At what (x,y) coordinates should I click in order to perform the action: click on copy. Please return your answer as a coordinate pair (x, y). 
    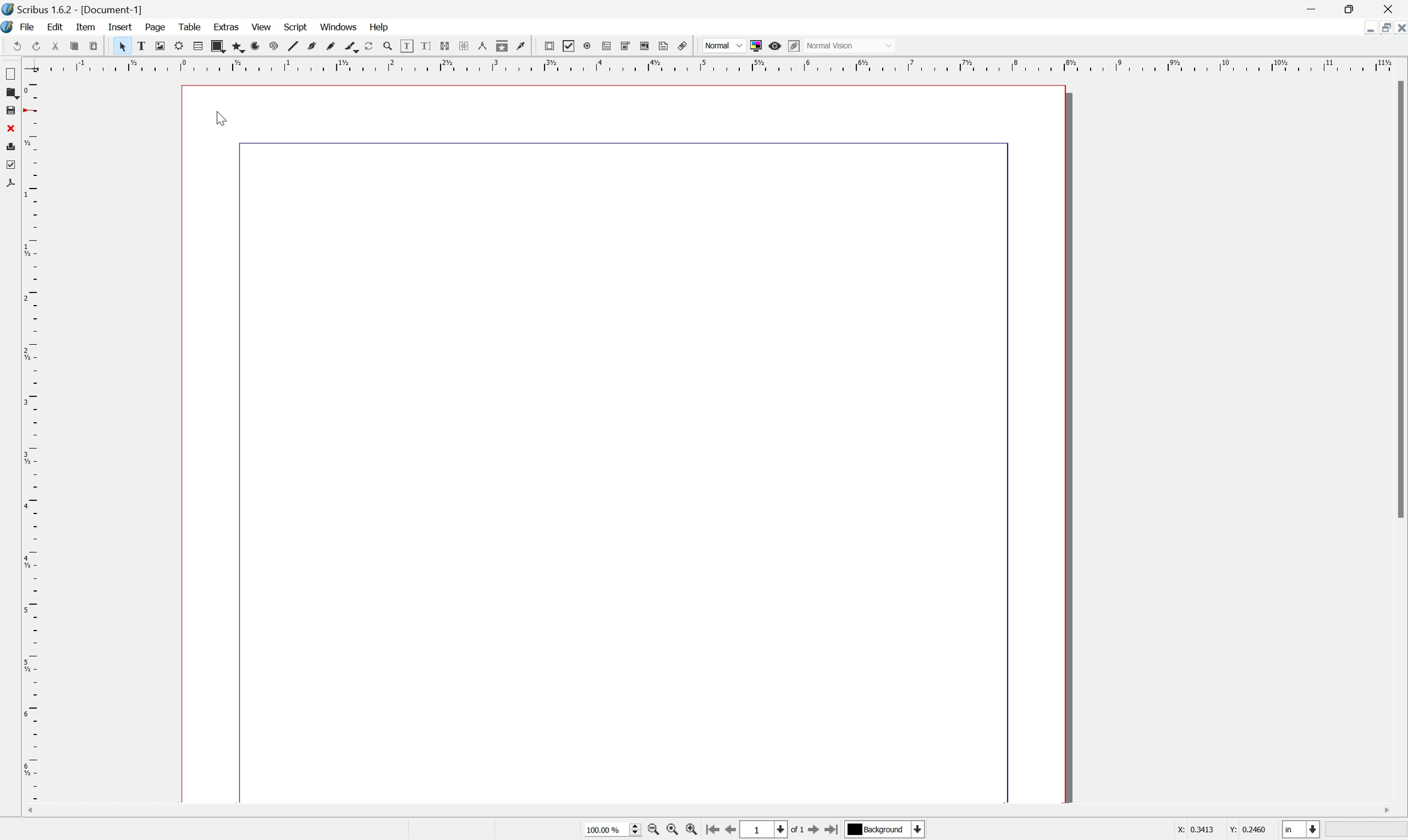
    Looking at the image, I should click on (218, 46).